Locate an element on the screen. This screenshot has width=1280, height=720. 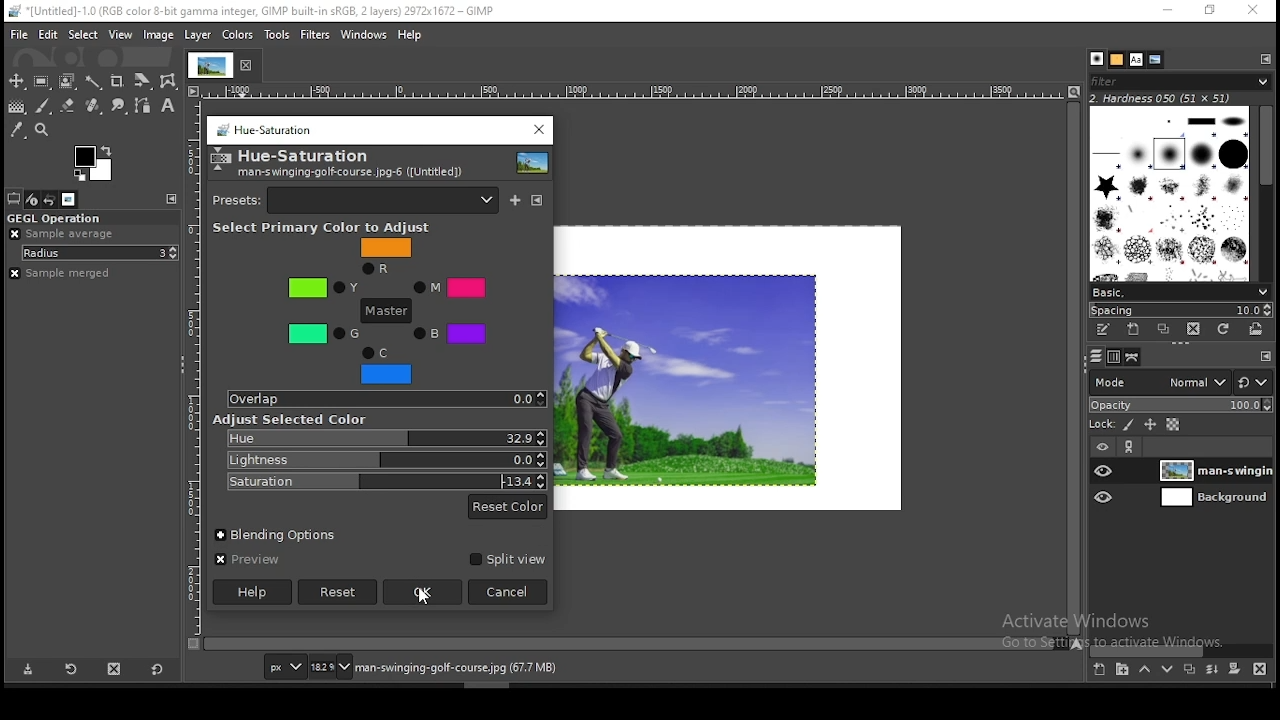
delete tool preset is located at coordinates (113, 670).